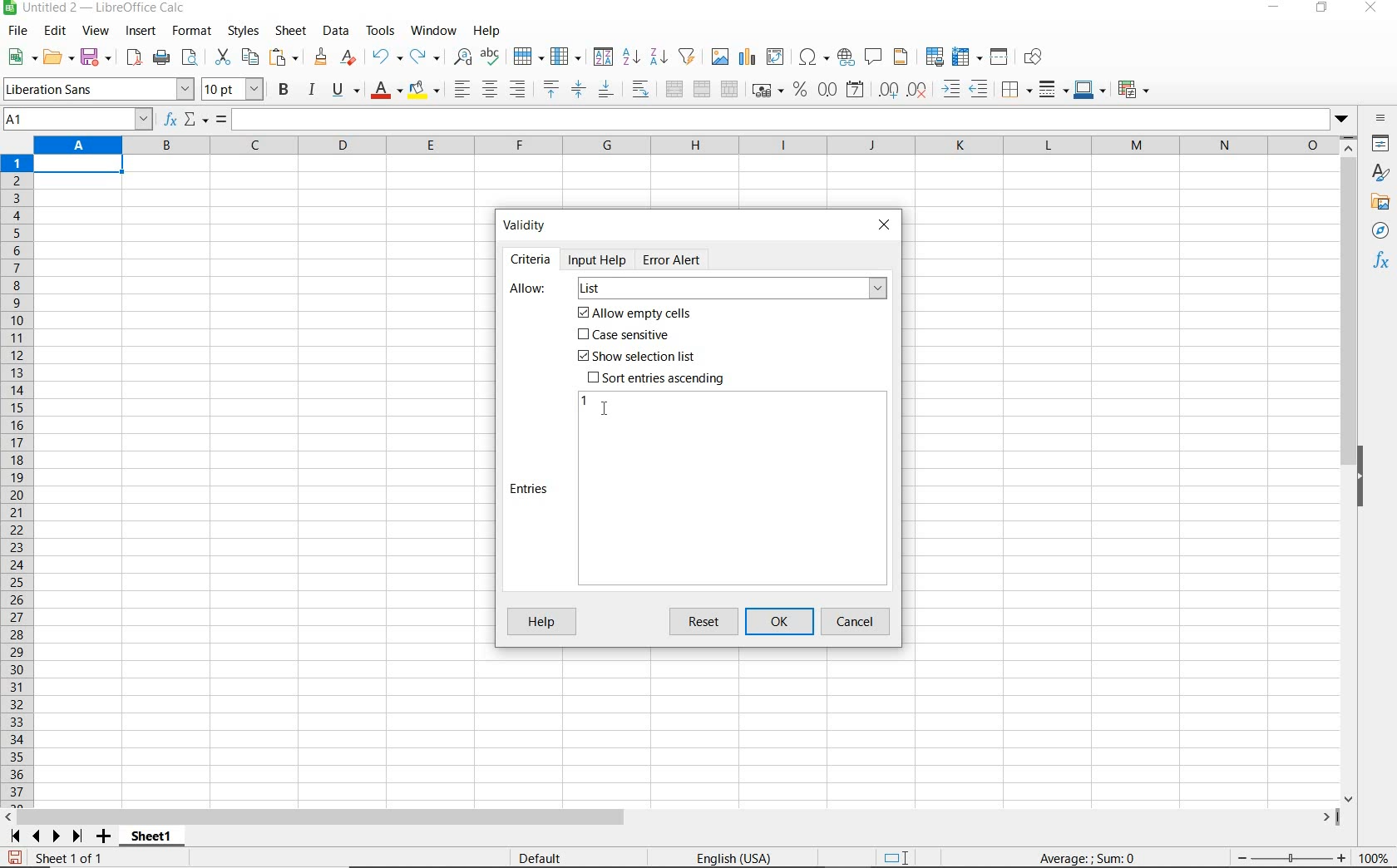  Describe the element at coordinates (897, 859) in the screenshot. I see `standard selection` at that location.